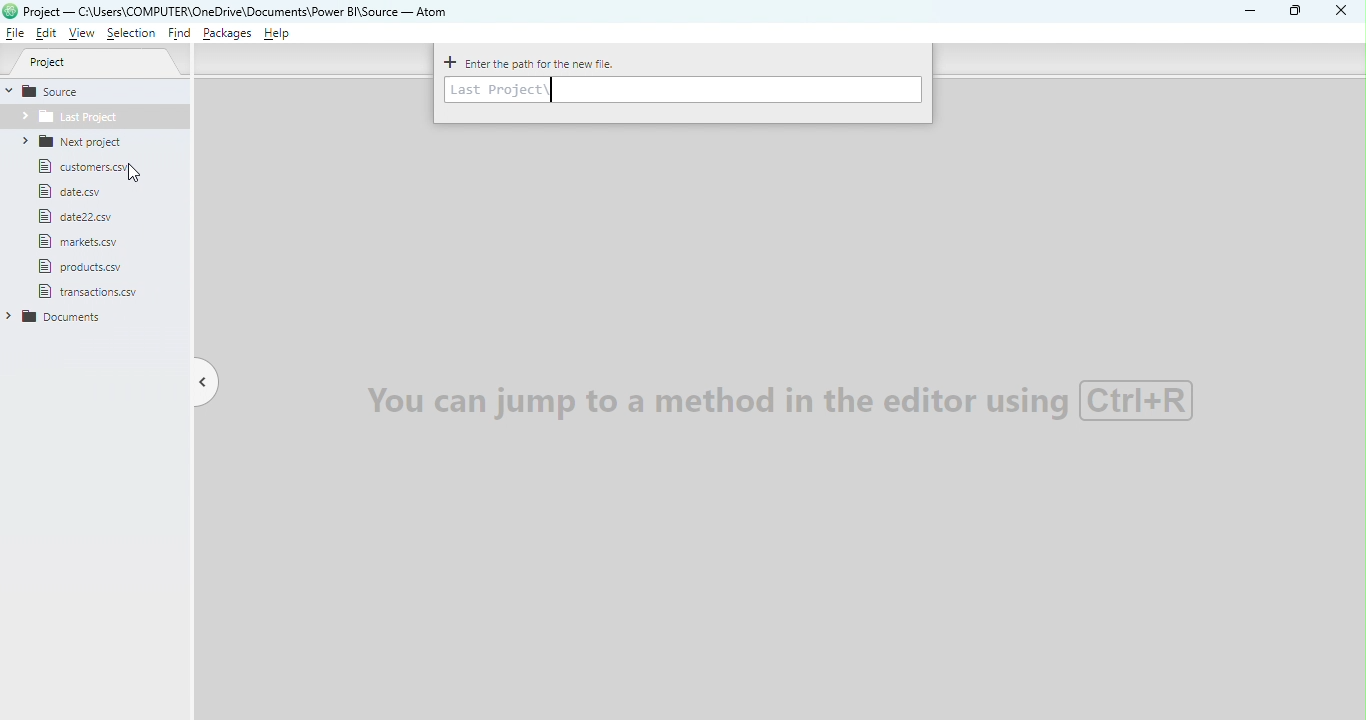 The width and height of the screenshot is (1366, 720). What do you see at coordinates (137, 176) in the screenshot?
I see `cursor` at bounding box center [137, 176].